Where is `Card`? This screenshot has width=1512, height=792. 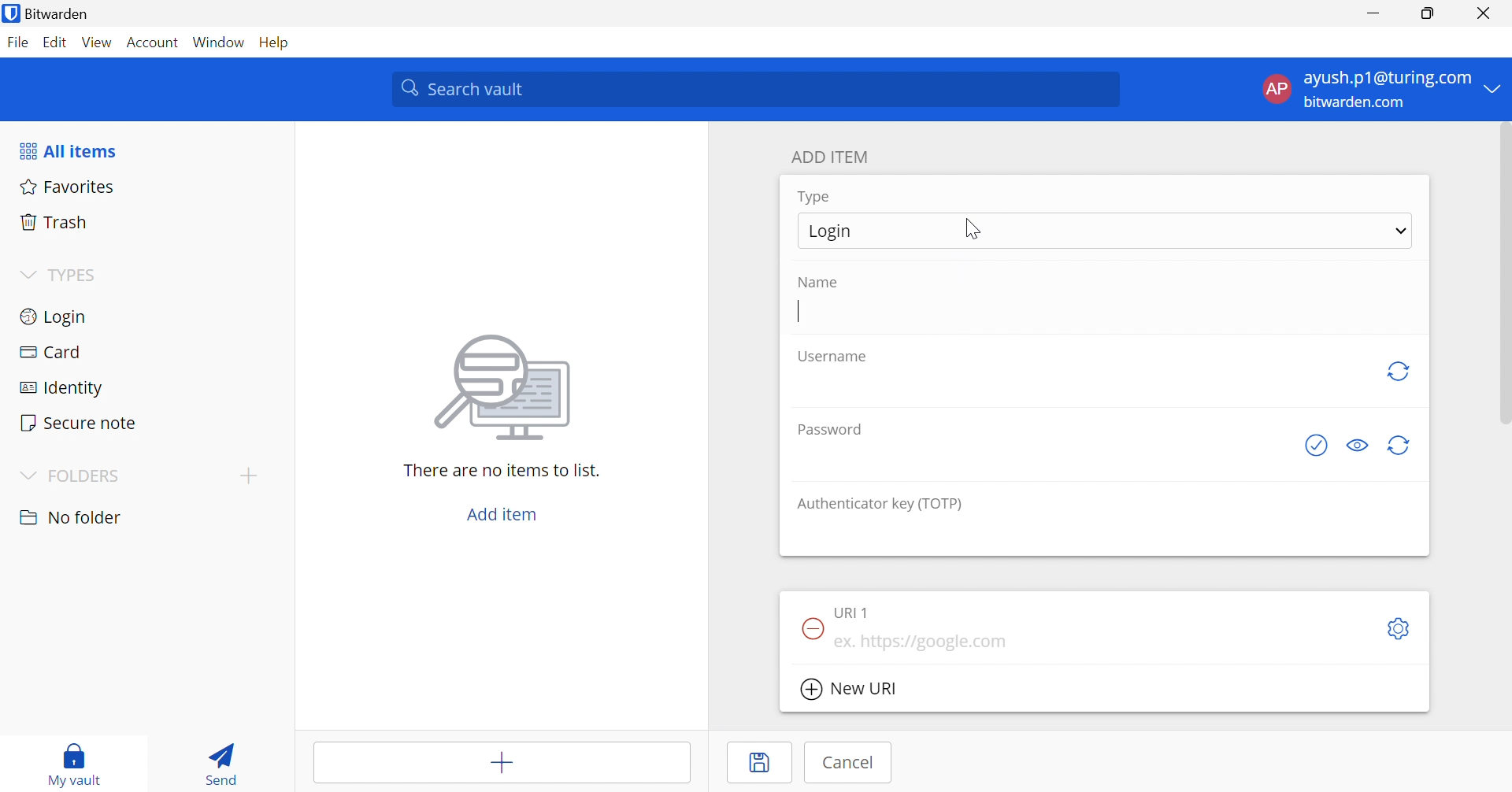 Card is located at coordinates (141, 349).